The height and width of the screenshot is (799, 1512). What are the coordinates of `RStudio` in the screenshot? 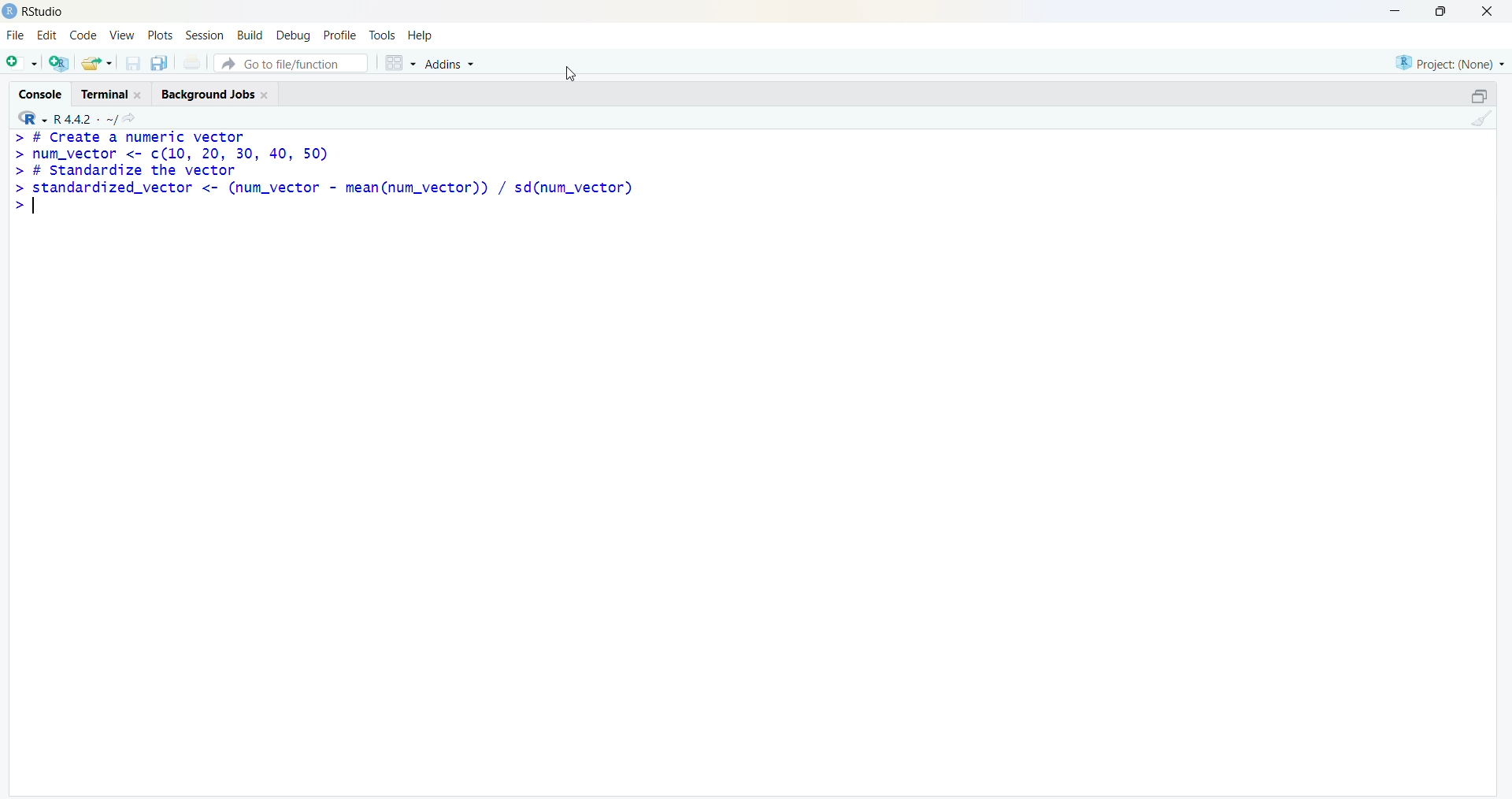 It's located at (45, 13).